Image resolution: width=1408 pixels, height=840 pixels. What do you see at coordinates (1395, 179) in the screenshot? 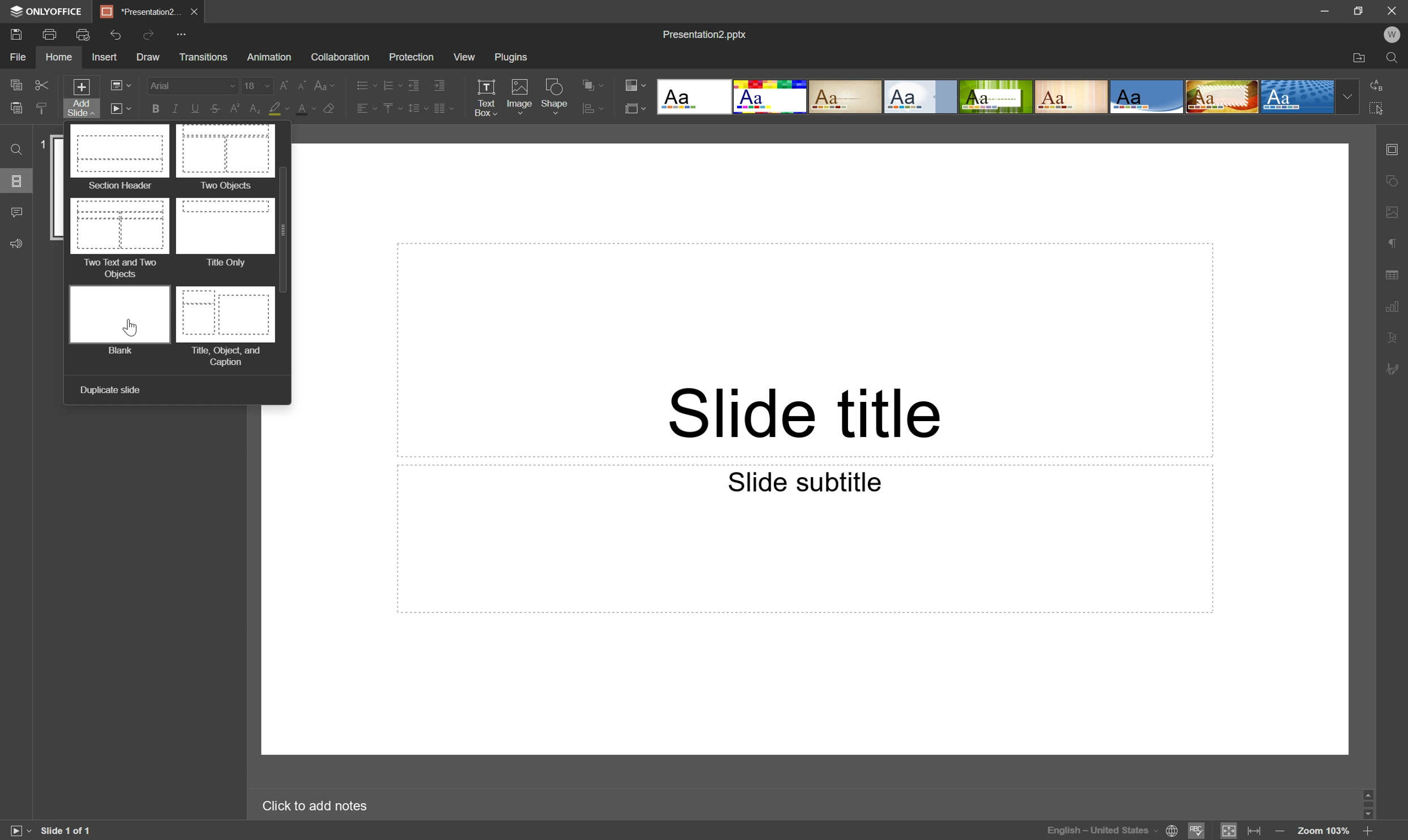
I see `Shape settings` at bounding box center [1395, 179].